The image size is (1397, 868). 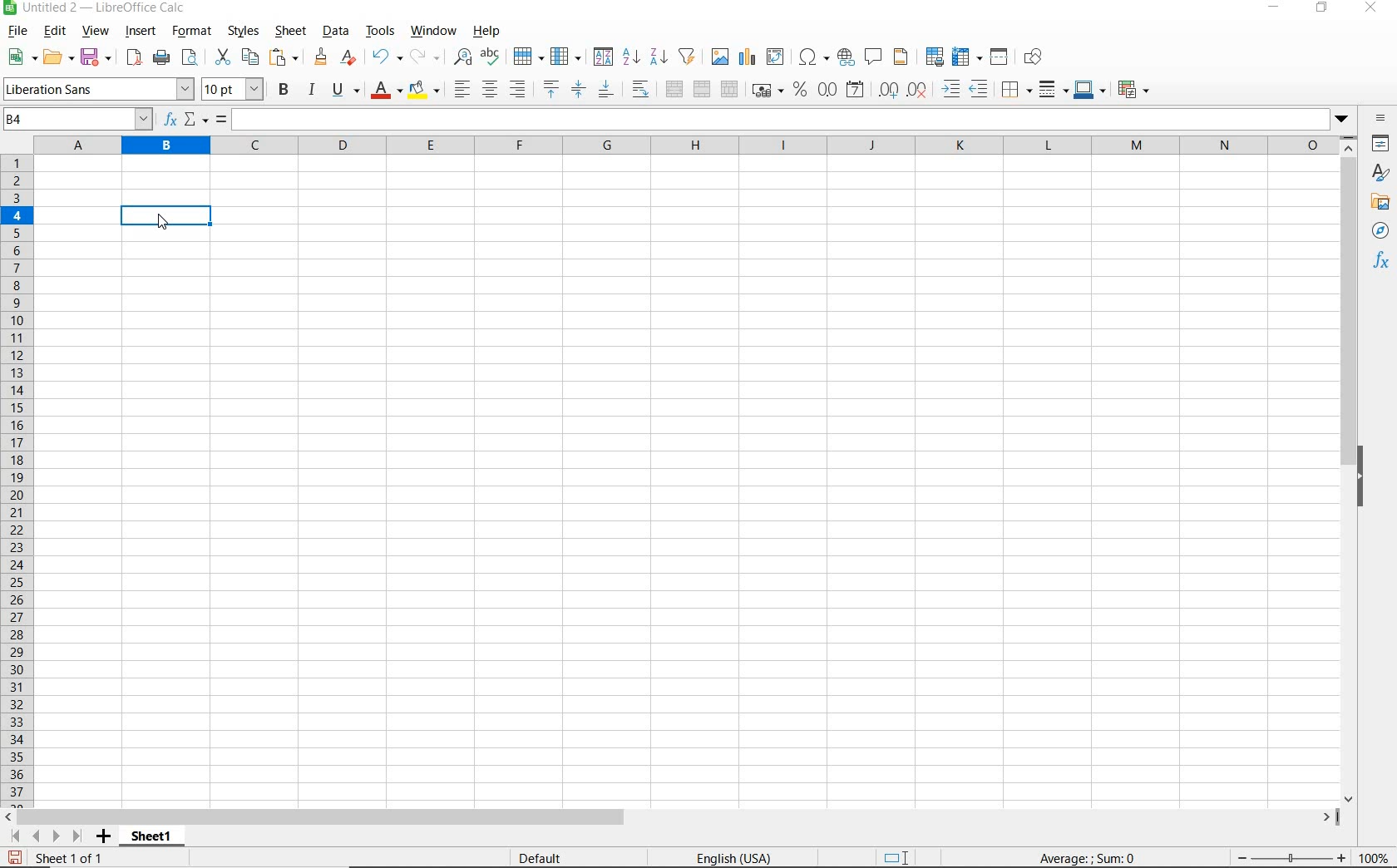 What do you see at coordinates (78, 120) in the screenshot?
I see `name box` at bounding box center [78, 120].